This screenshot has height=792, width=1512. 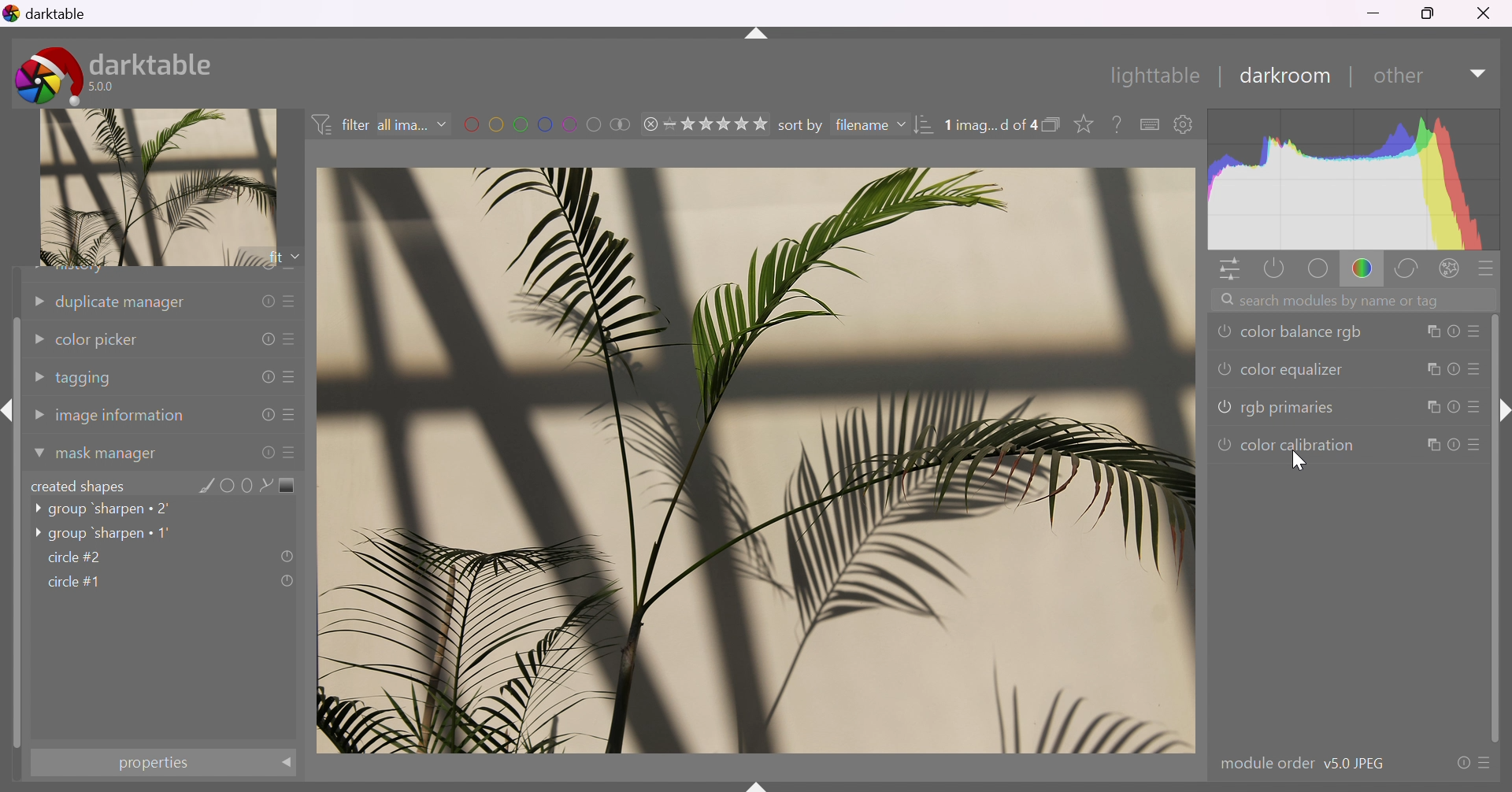 I want to click on lighttable, so click(x=1158, y=76).